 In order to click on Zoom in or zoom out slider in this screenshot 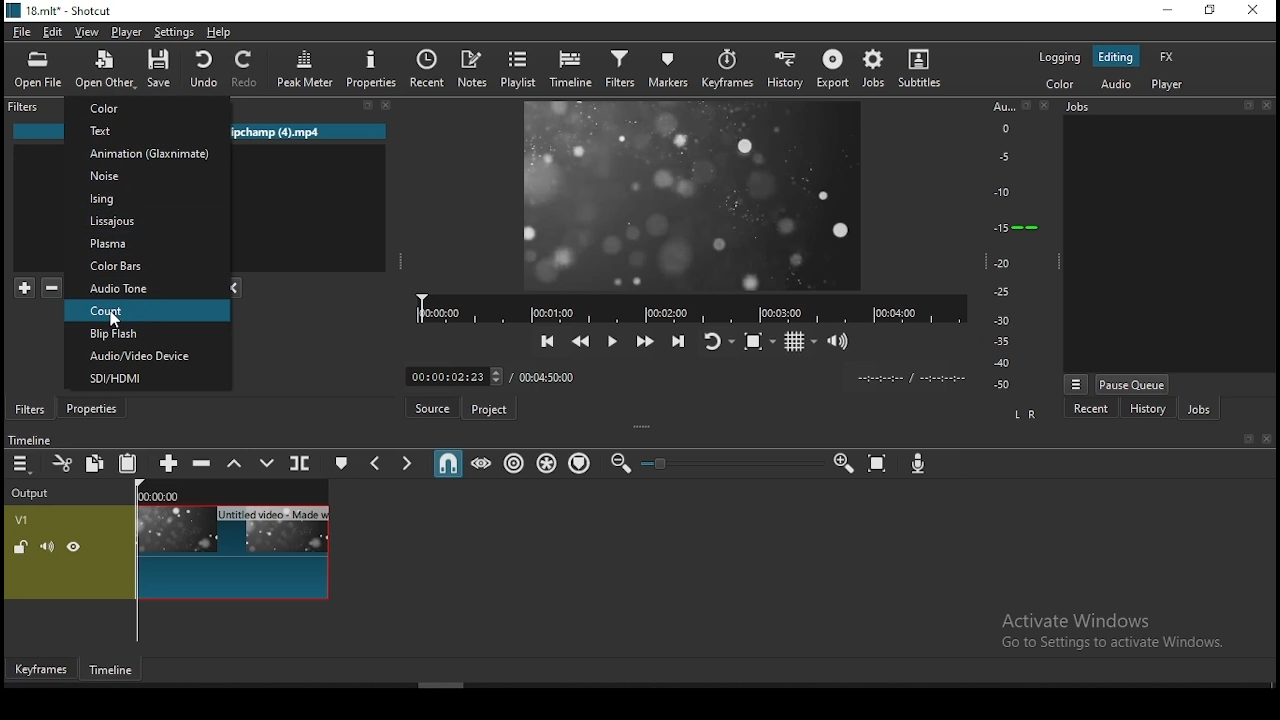, I will do `click(731, 463)`.